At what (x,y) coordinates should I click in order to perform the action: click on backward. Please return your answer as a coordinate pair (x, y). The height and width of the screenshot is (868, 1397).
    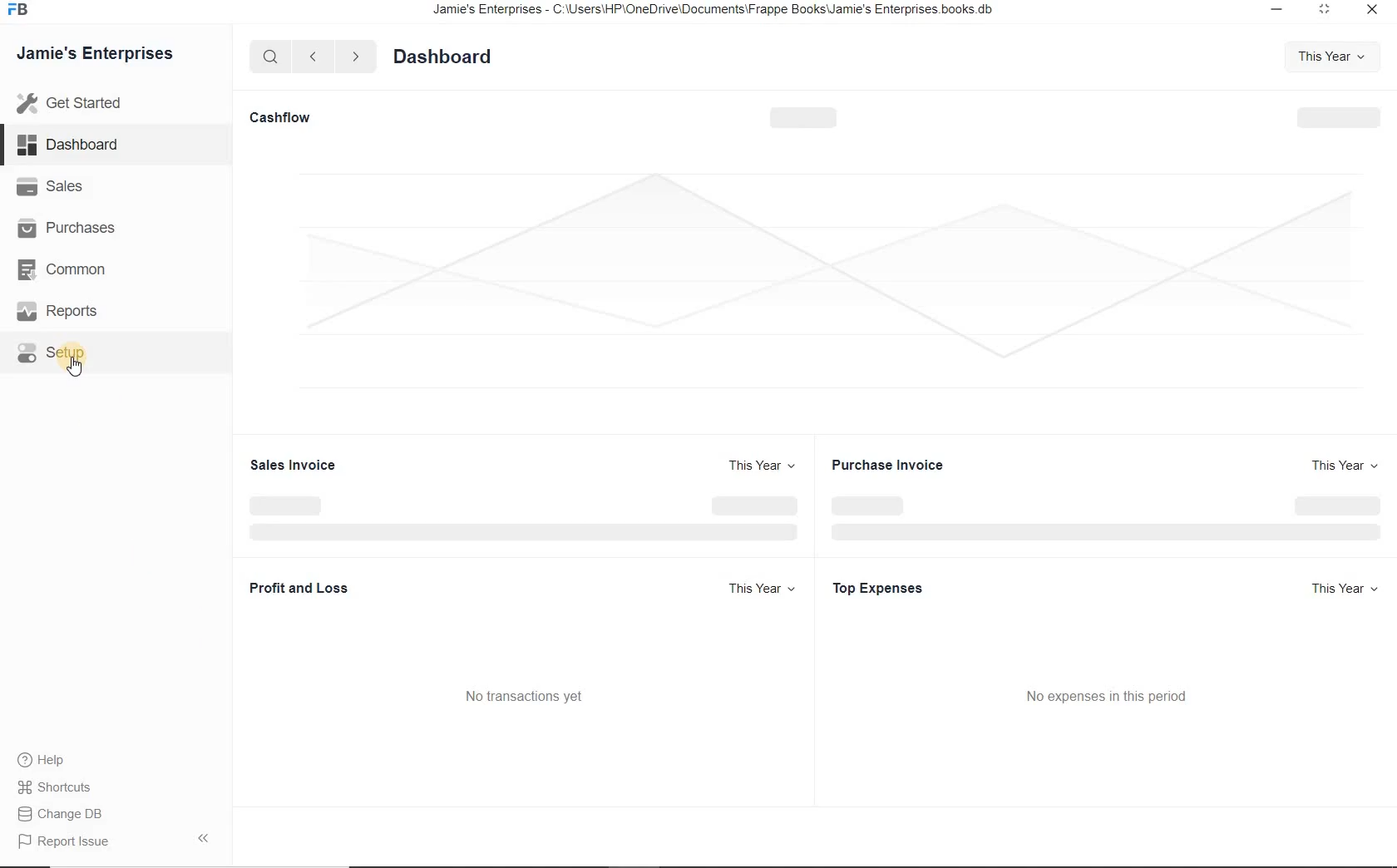
    Looking at the image, I should click on (312, 57).